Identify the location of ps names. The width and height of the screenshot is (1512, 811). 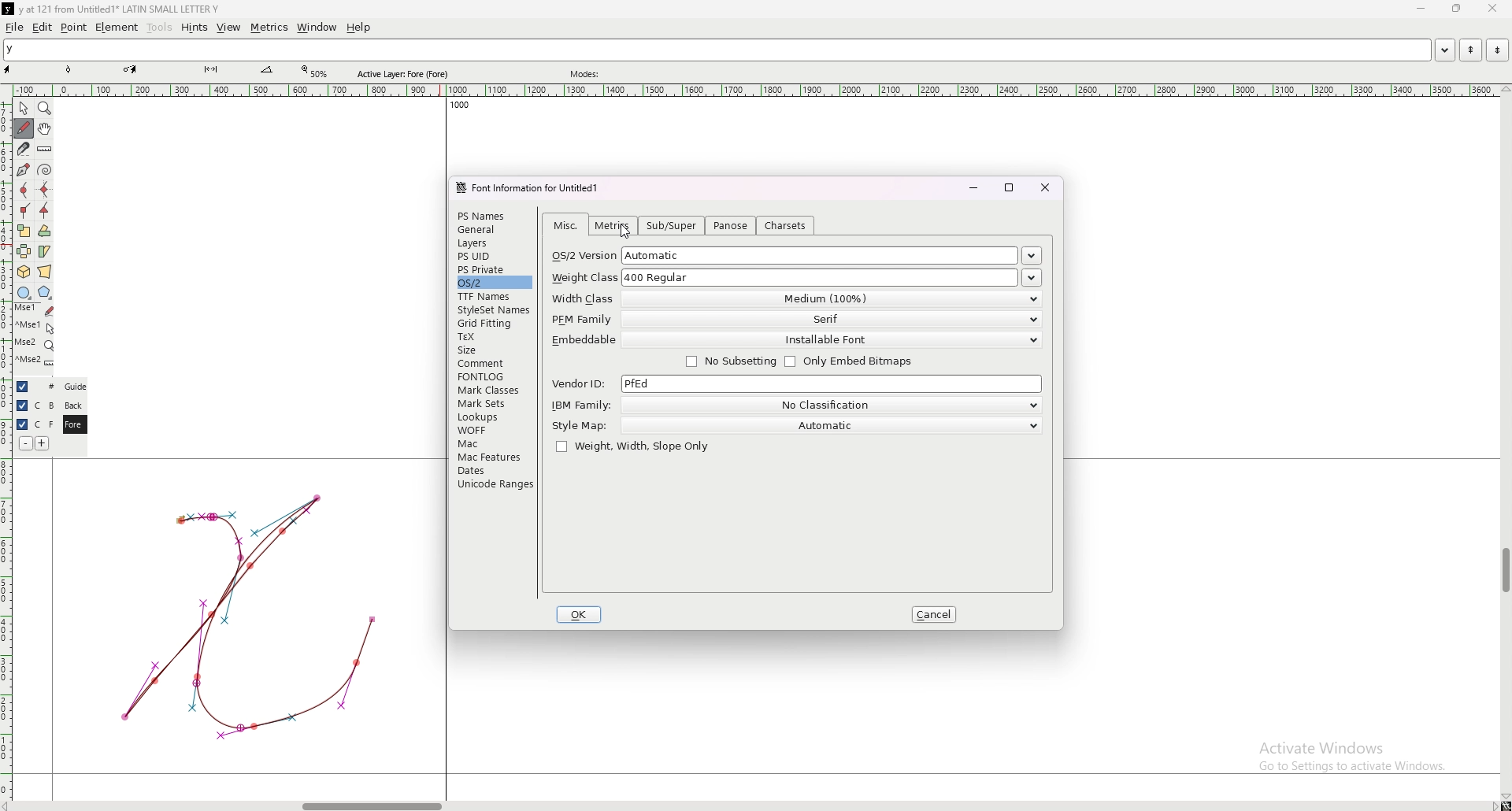
(492, 215).